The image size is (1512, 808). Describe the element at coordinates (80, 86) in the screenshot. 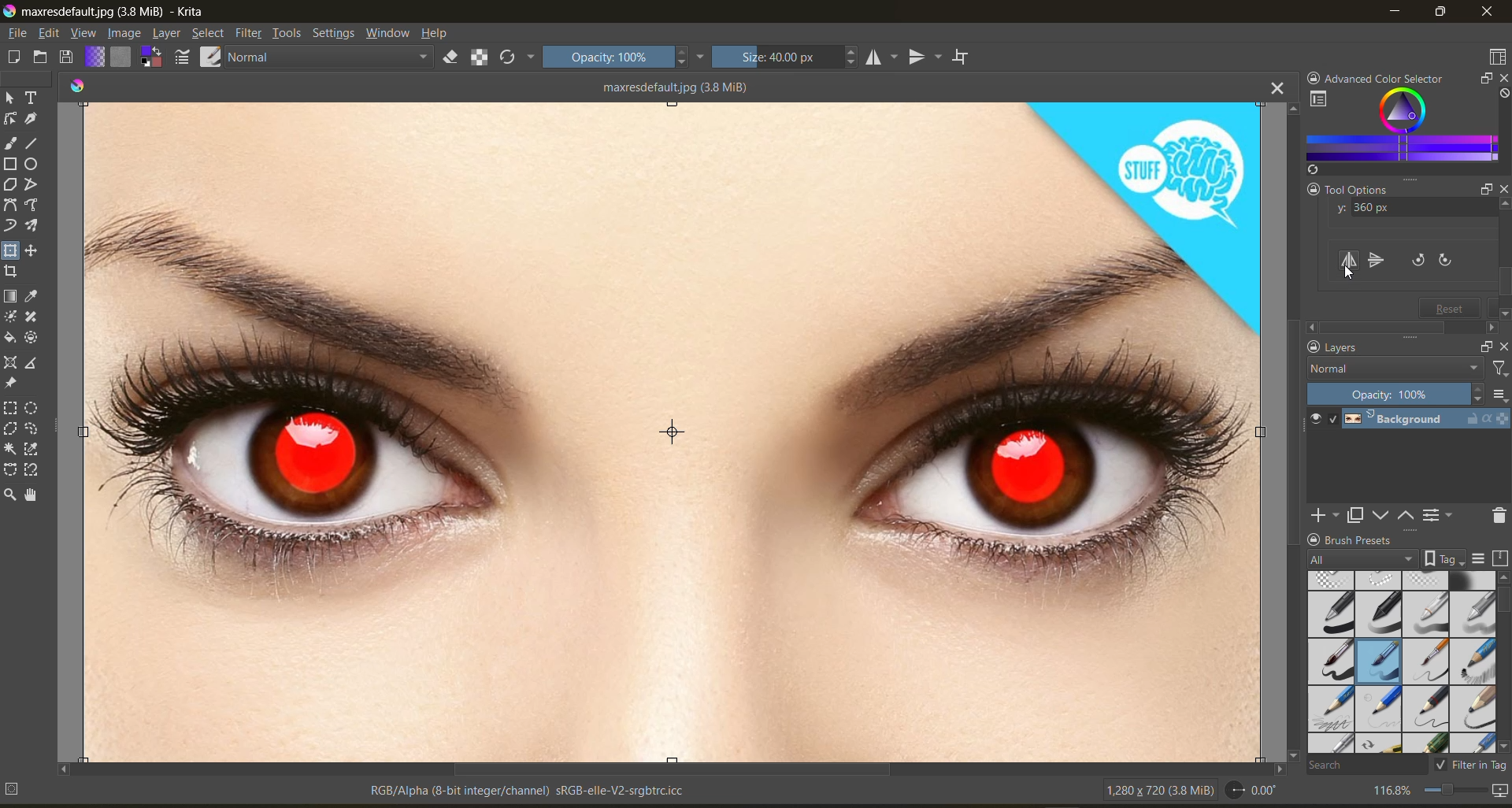

I see `colors` at that location.